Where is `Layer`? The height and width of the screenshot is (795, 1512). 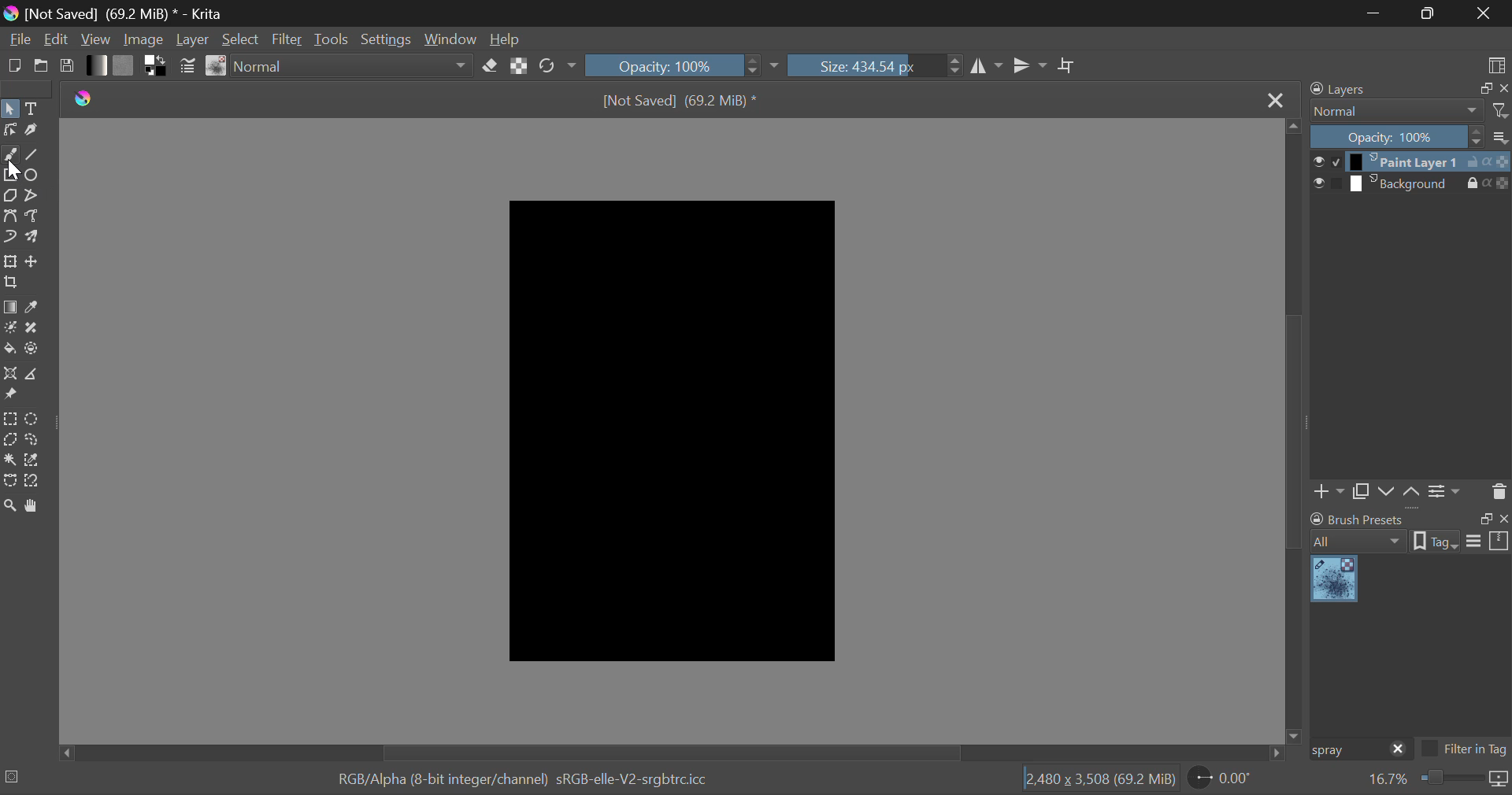 Layer is located at coordinates (194, 39).